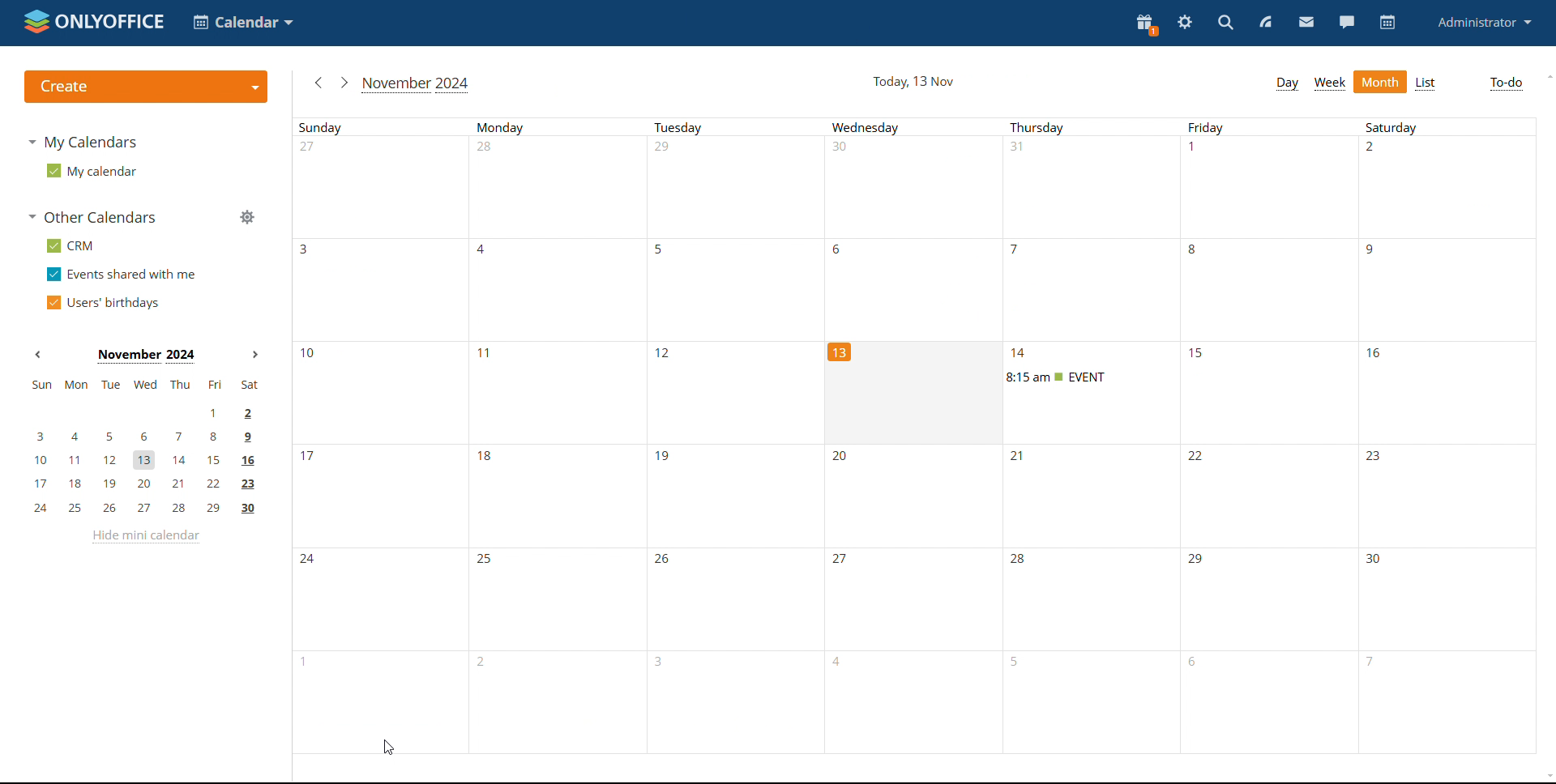  What do you see at coordinates (144, 356) in the screenshot?
I see `current month` at bounding box center [144, 356].